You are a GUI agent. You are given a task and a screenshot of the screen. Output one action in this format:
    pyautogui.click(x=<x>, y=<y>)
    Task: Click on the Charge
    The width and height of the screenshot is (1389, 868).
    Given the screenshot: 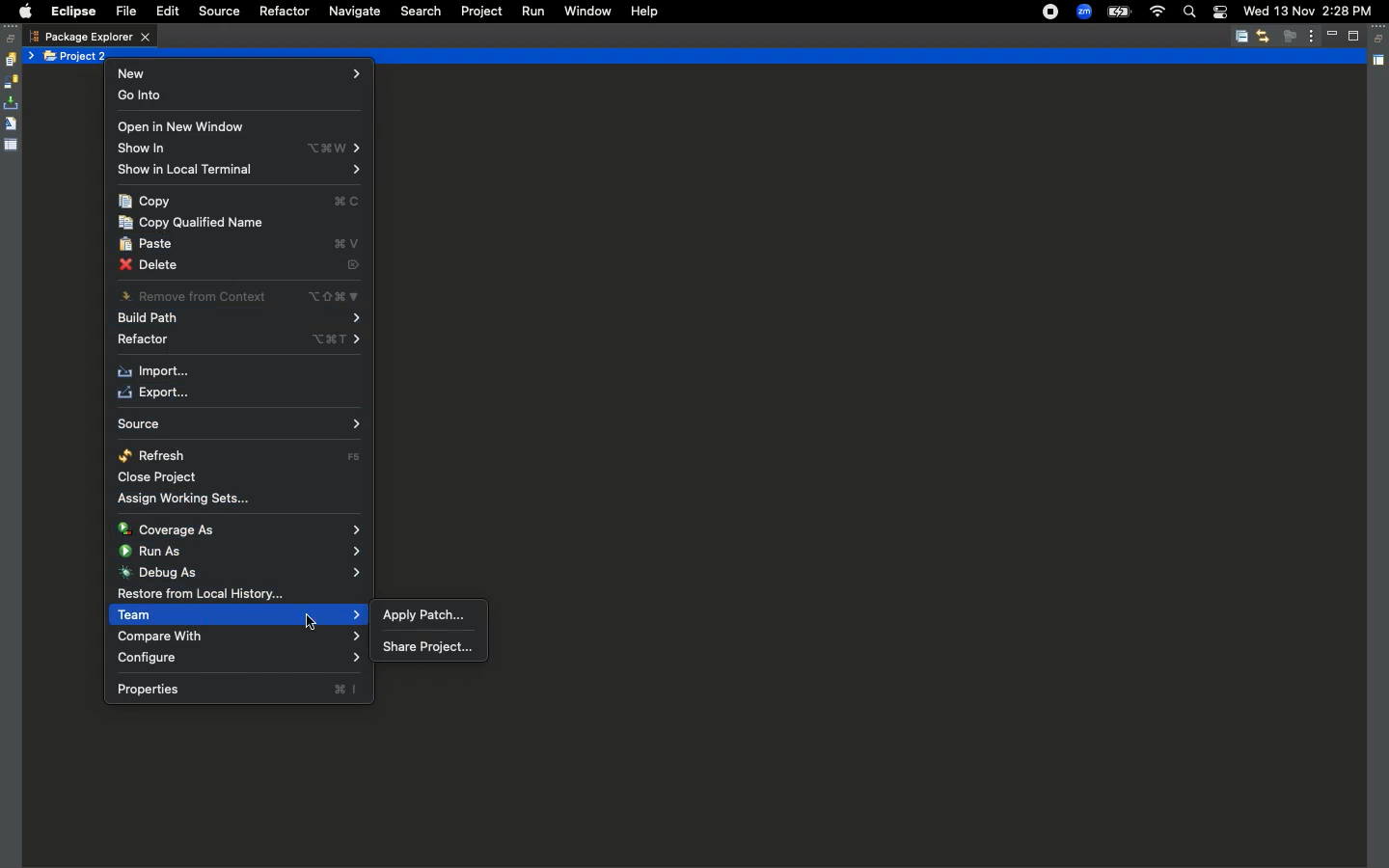 What is the action you would take?
    pyautogui.click(x=1118, y=14)
    